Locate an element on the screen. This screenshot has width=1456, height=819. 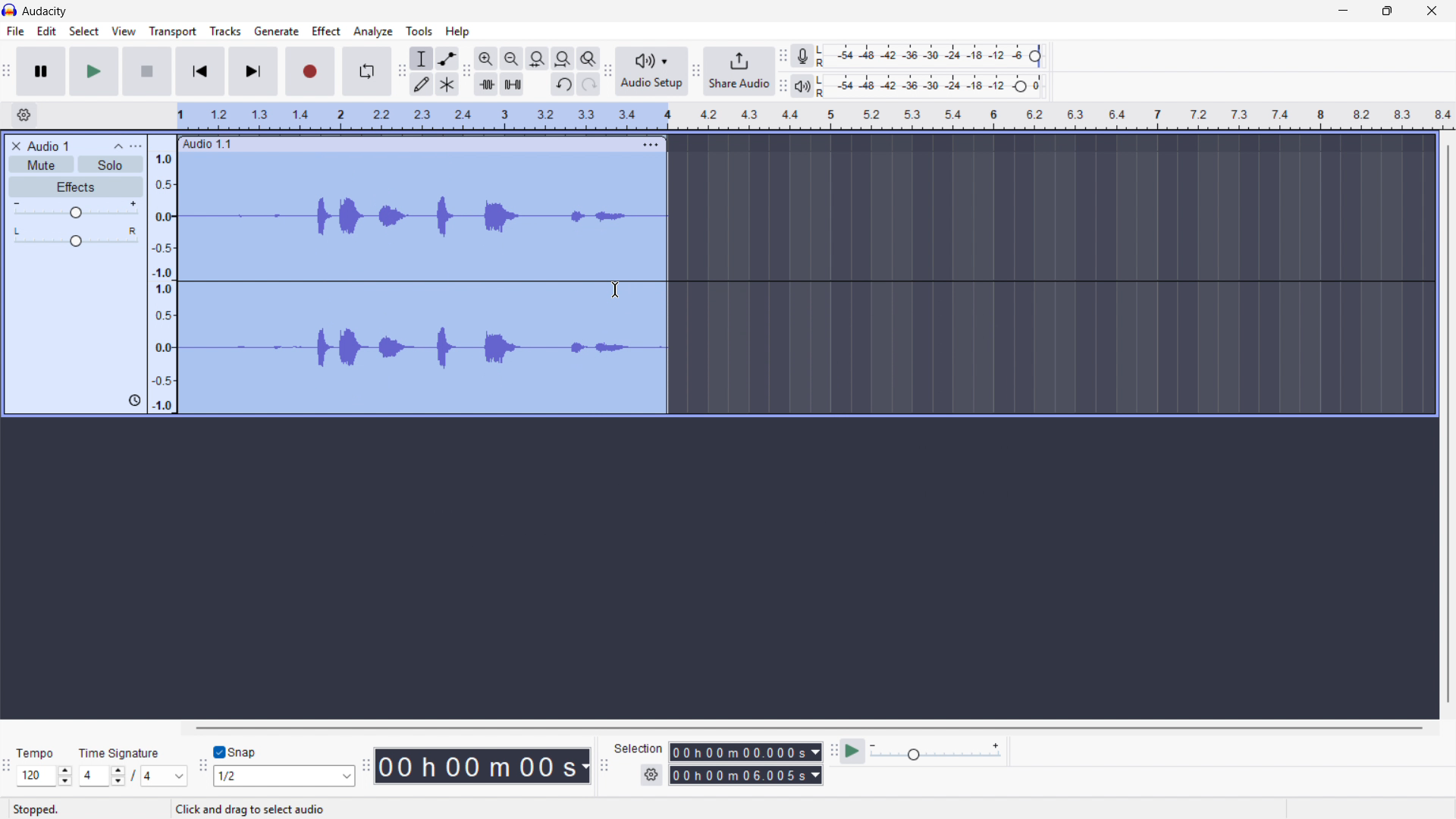
Silence audio selection is located at coordinates (513, 84).